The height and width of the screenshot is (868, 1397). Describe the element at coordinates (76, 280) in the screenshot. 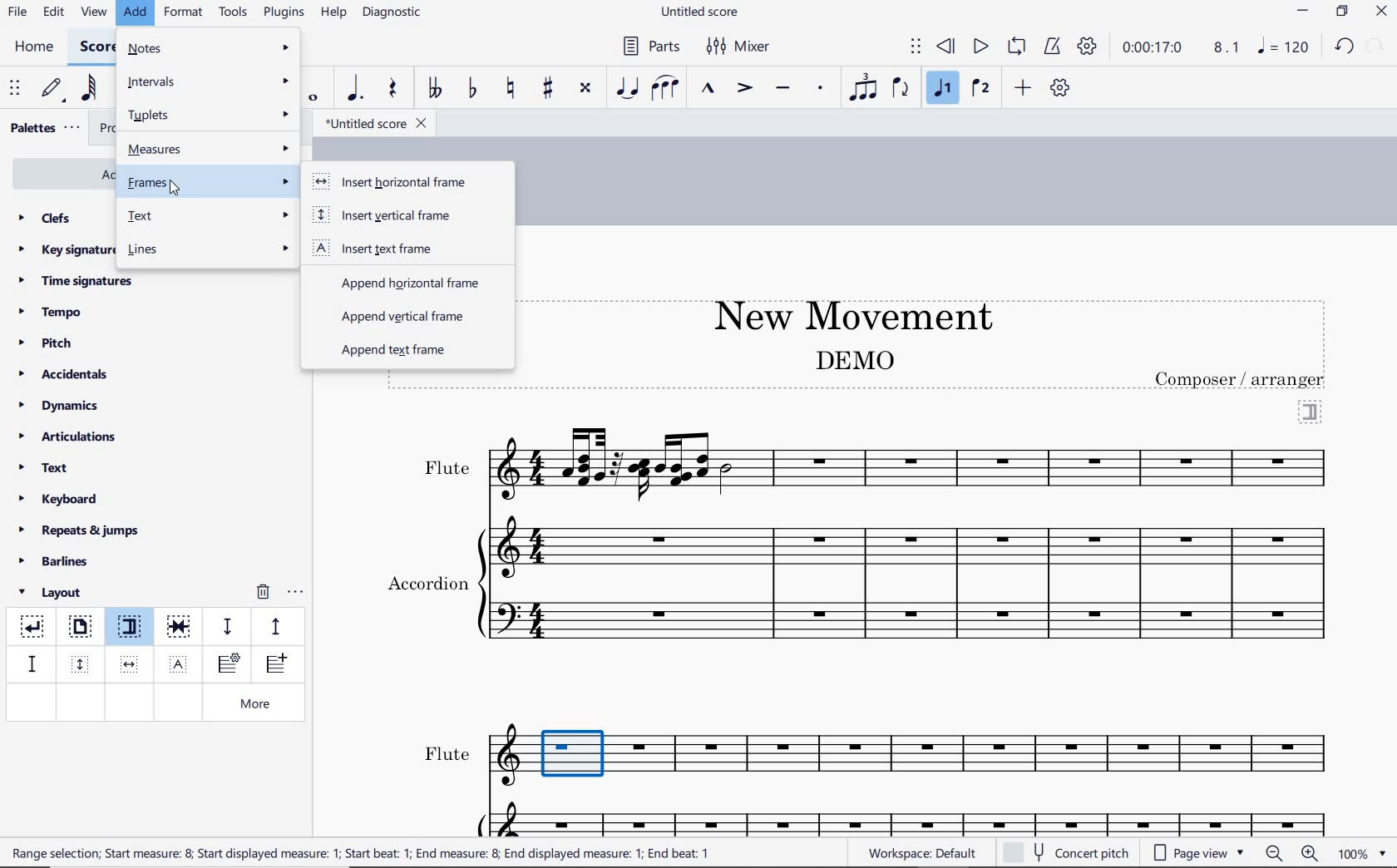

I see `time signatures` at that location.